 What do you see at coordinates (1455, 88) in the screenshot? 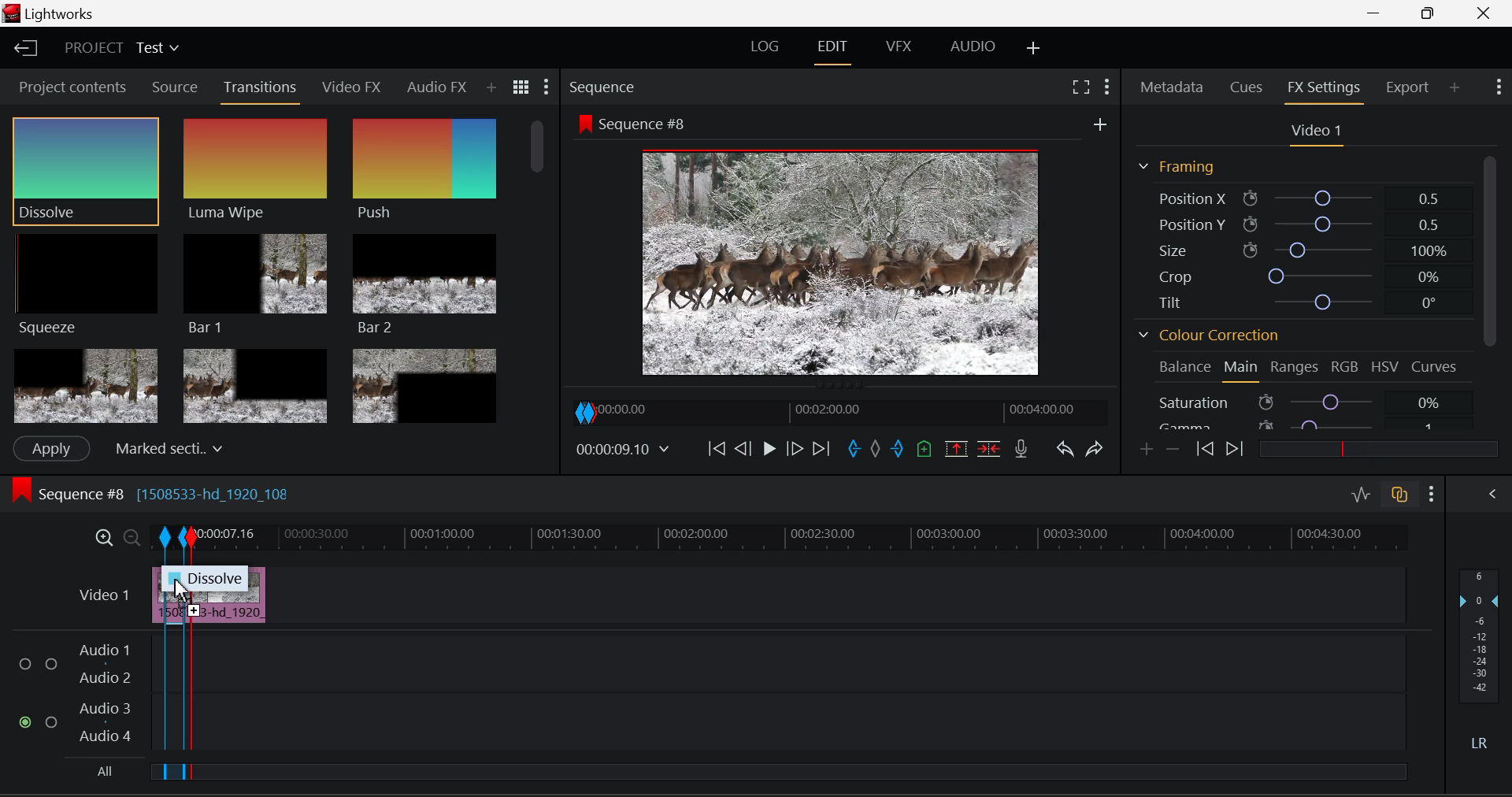
I see `Add Panel` at bounding box center [1455, 88].